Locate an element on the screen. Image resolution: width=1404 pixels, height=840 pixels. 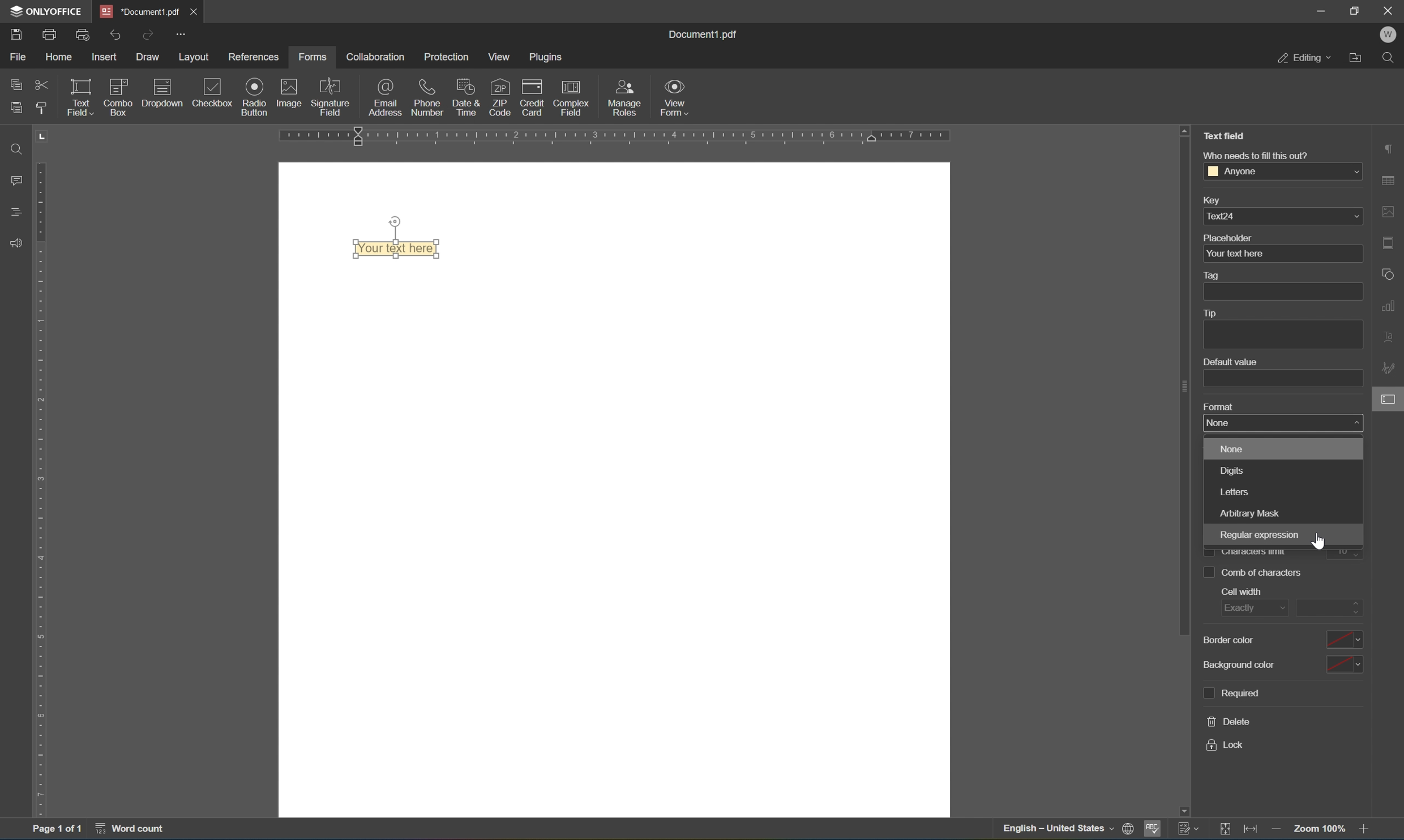
text art settings is located at coordinates (1390, 335).